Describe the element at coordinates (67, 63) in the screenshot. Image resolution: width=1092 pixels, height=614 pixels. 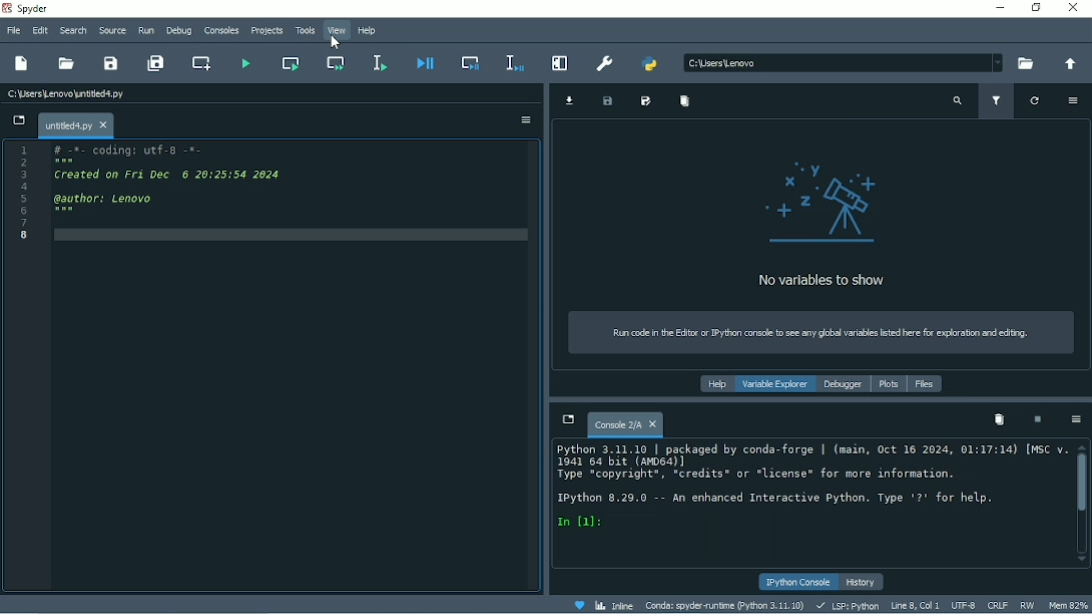
I see `Open file` at that location.